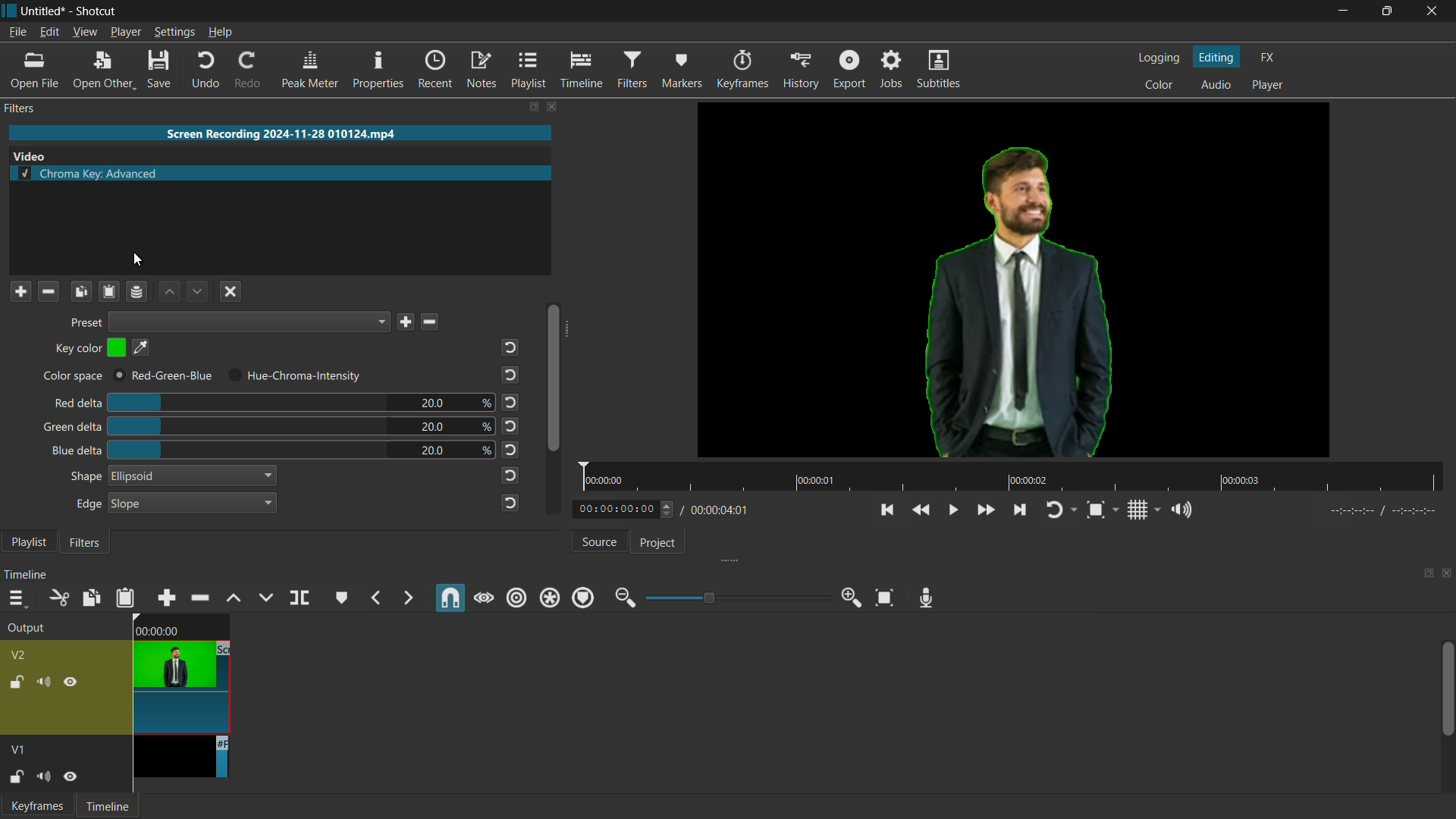 The image size is (1456, 819). What do you see at coordinates (125, 32) in the screenshot?
I see `player menu` at bounding box center [125, 32].